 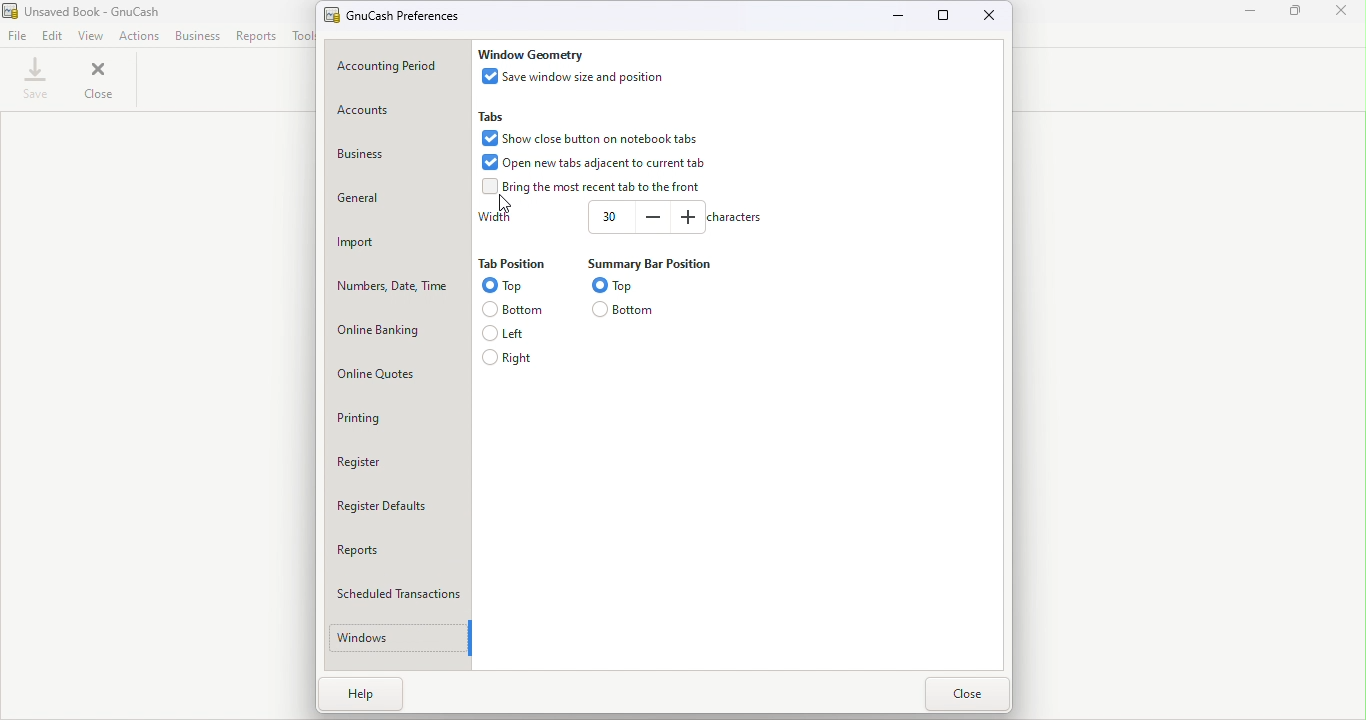 What do you see at coordinates (625, 309) in the screenshot?
I see `Bottom` at bounding box center [625, 309].